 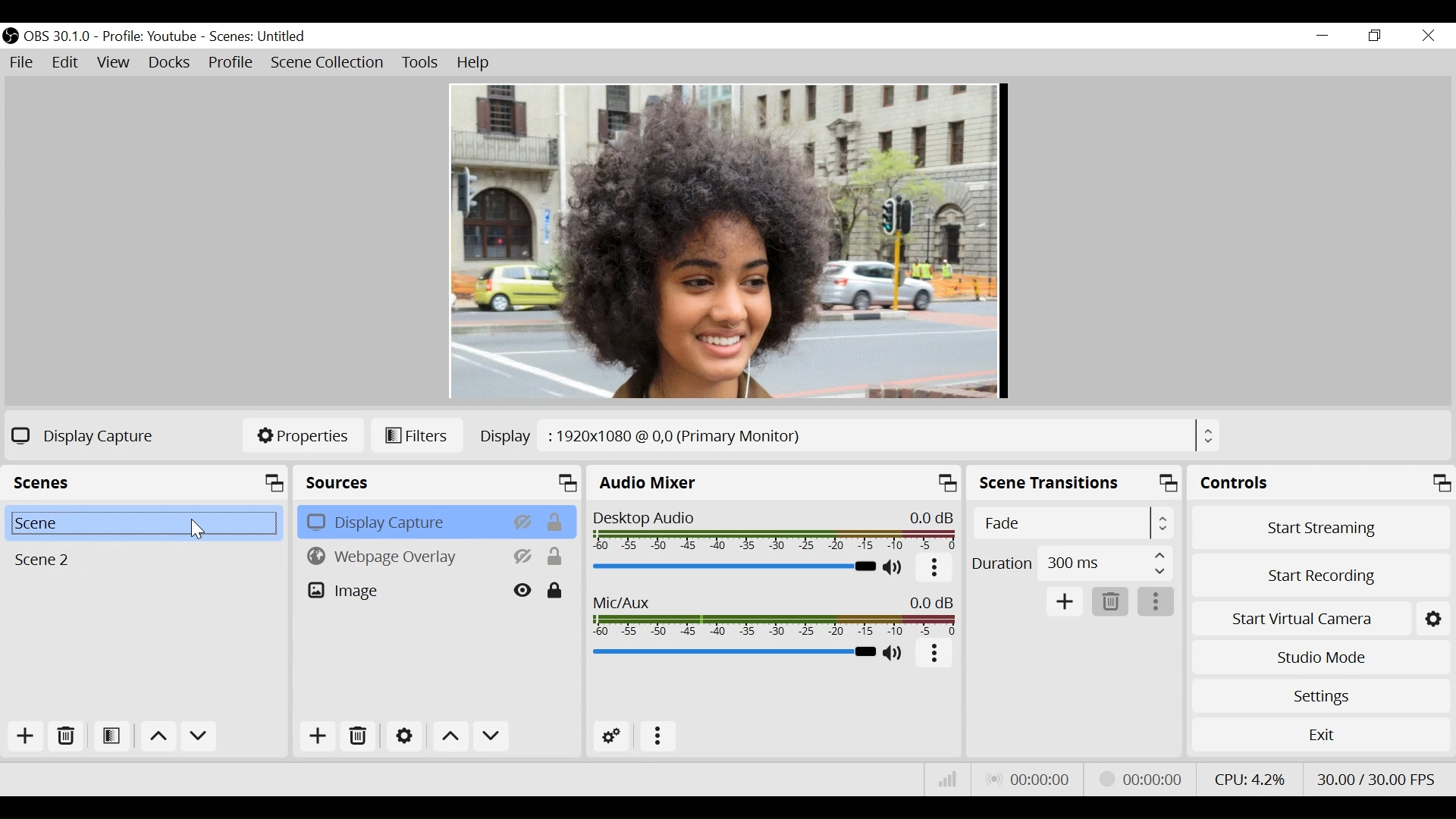 What do you see at coordinates (401, 521) in the screenshot?
I see `Display Capture` at bounding box center [401, 521].